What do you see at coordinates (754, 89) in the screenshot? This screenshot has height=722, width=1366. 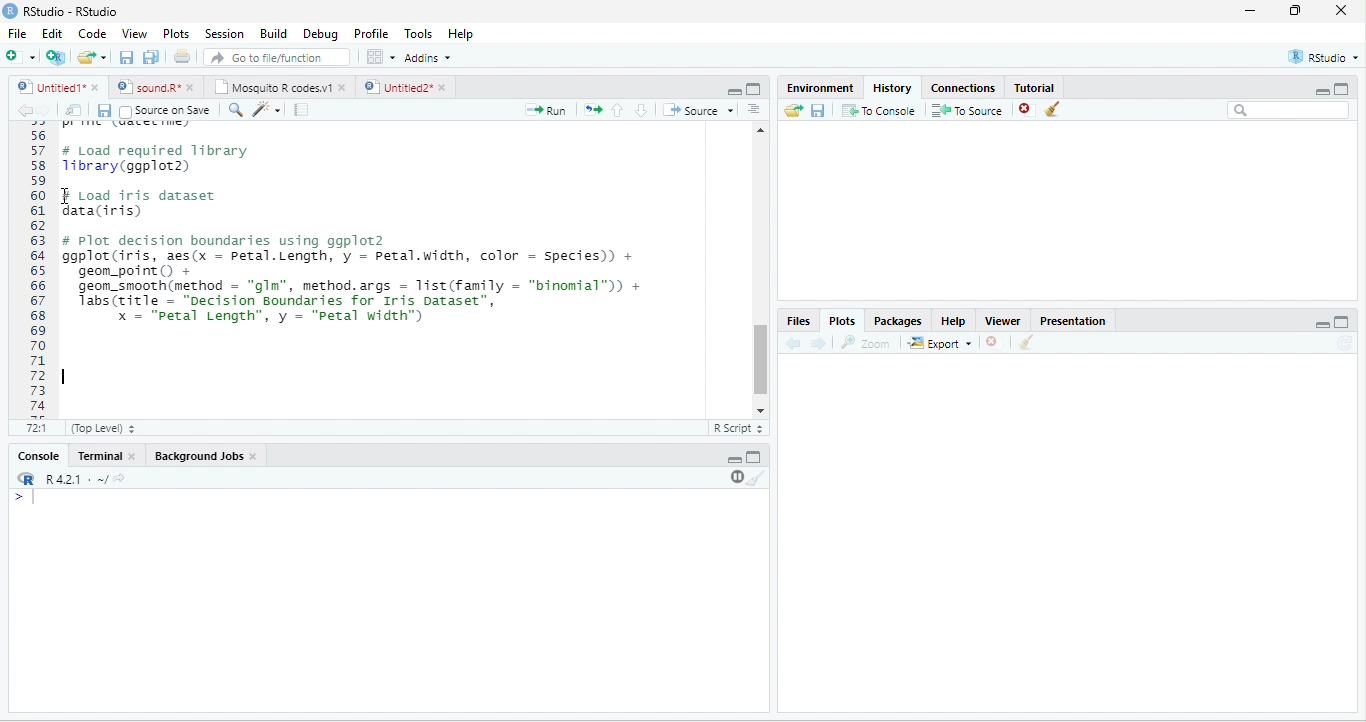 I see `maximize` at bounding box center [754, 89].